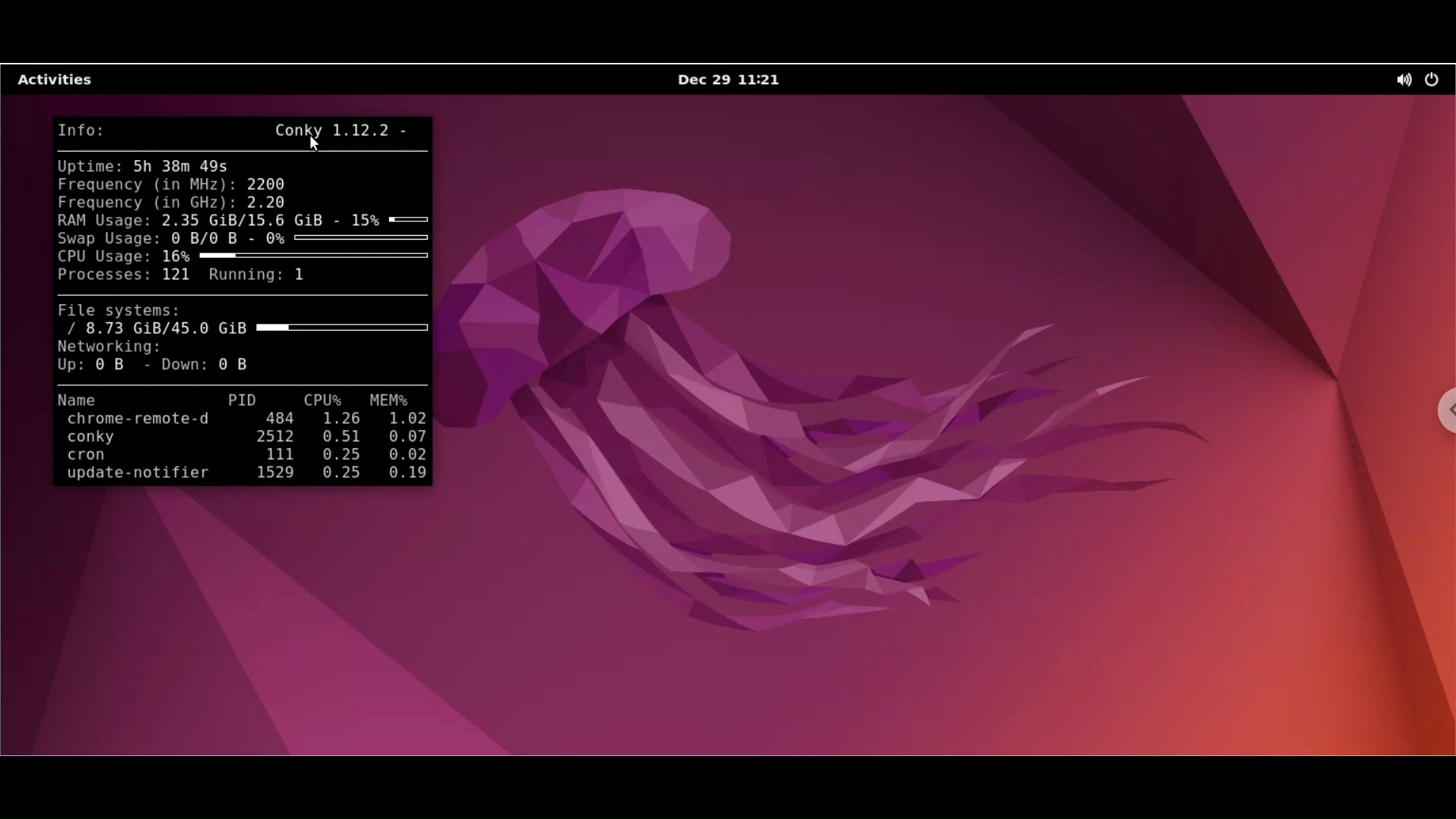 This screenshot has width=1456, height=819. What do you see at coordinates (71, 366) in the screenshot?
I see `up:` at bounding box center [71, 366].